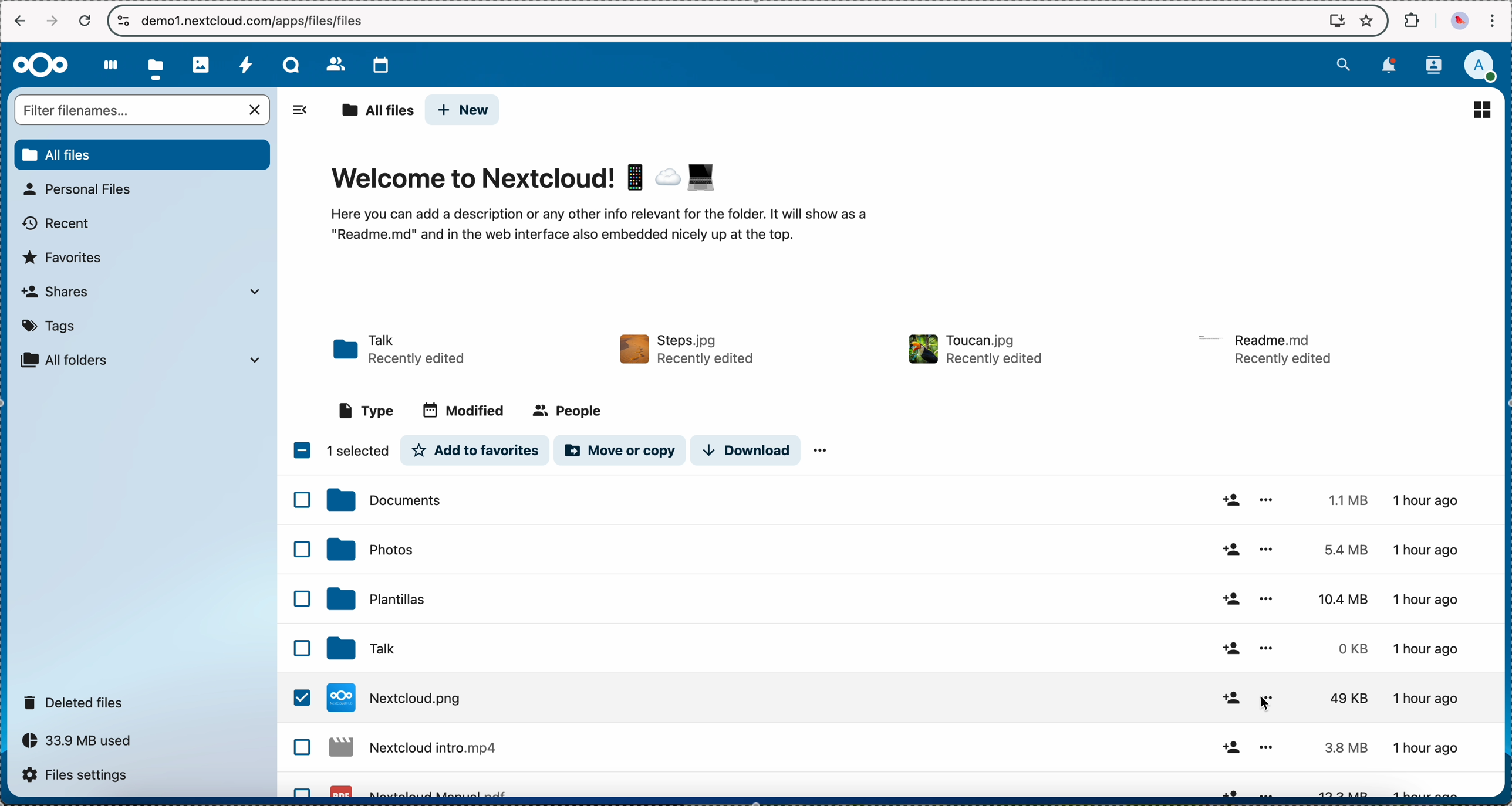 The image size is (1512, 806). I want to click on documents, so click(896, 499).